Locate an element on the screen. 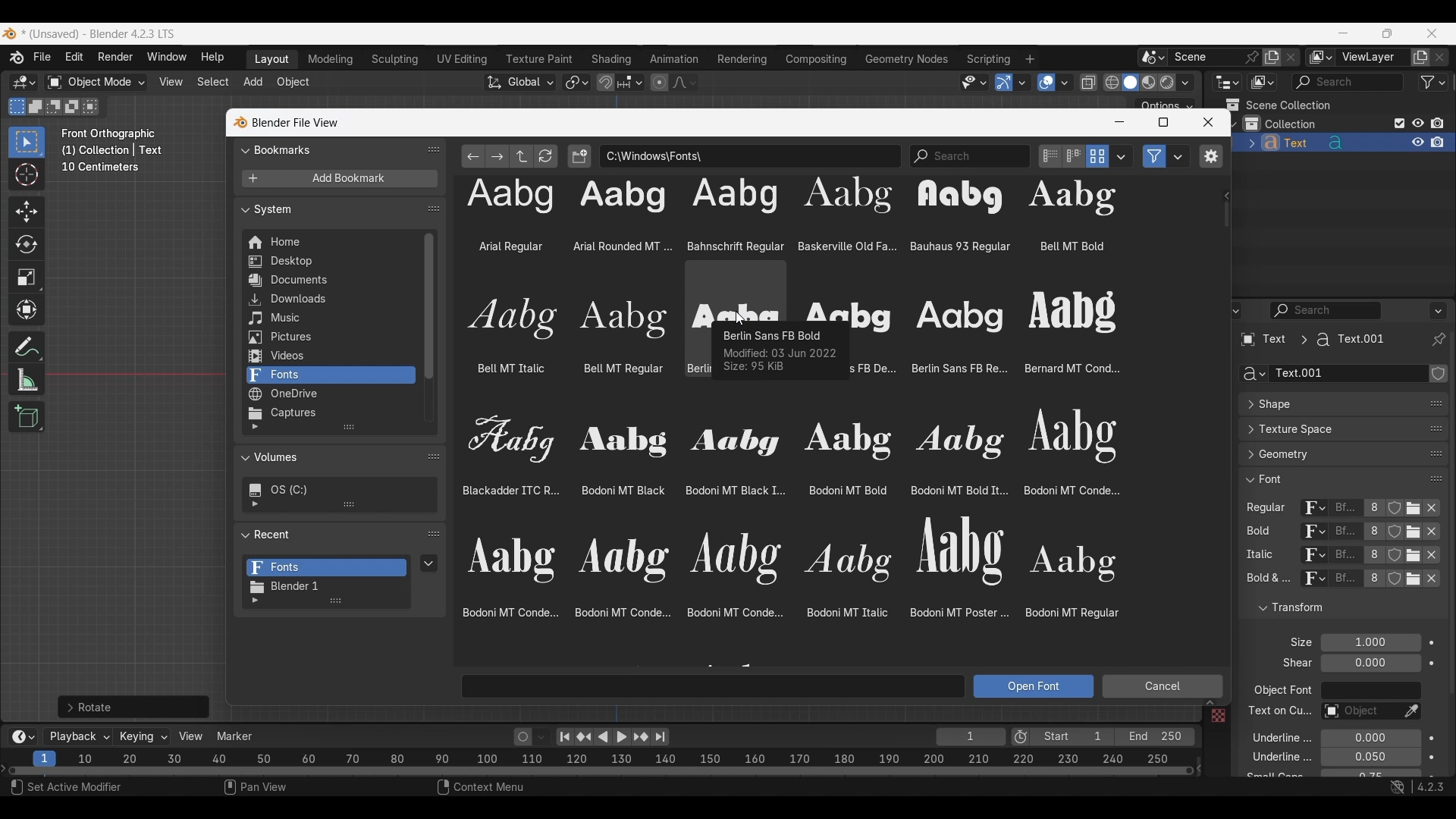 The width and height of the screenshot is (1456, 819). Click to expand Light Probes is located at coordinates (1291, 642).